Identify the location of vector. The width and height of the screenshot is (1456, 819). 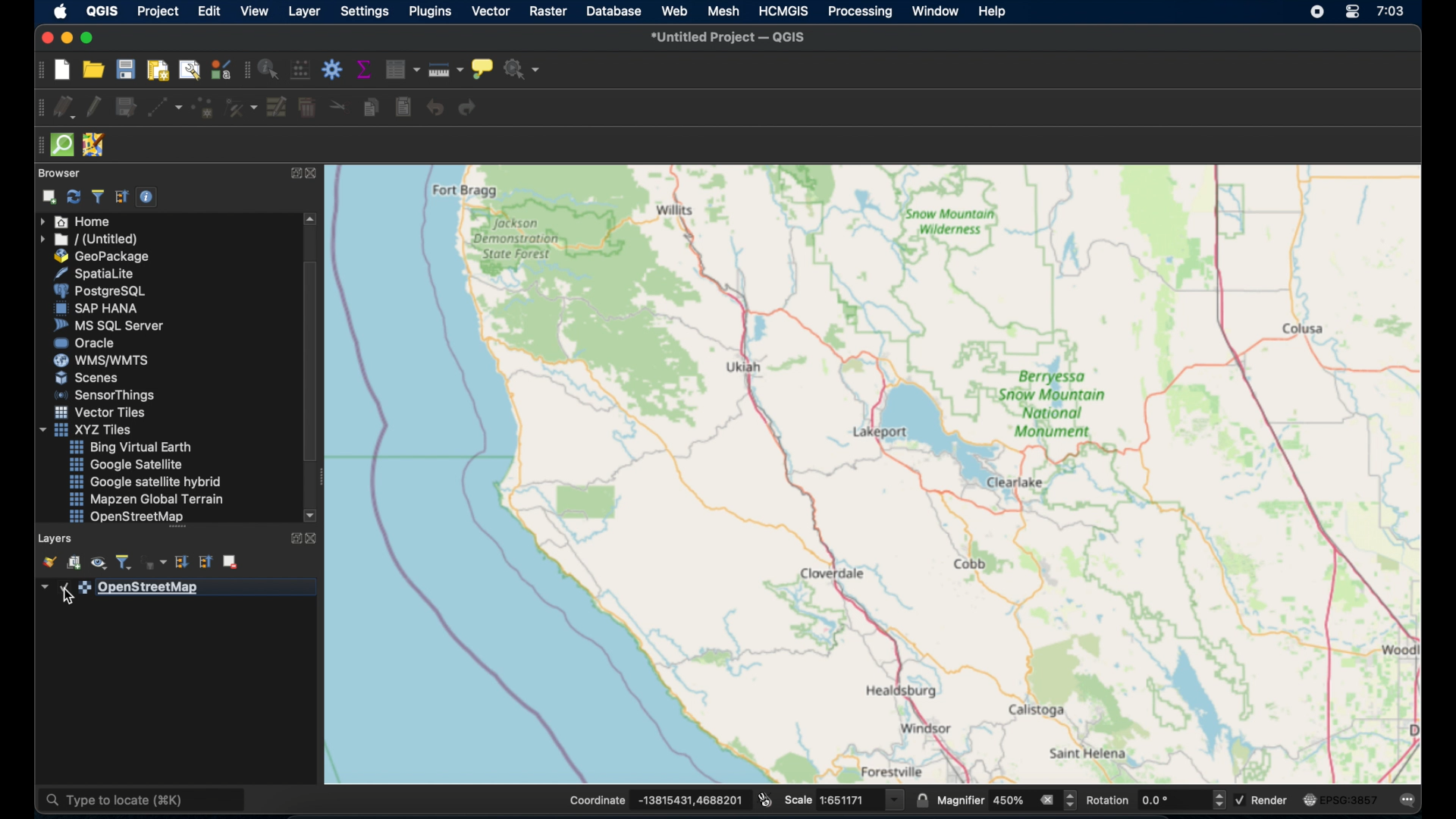
(492, 13).